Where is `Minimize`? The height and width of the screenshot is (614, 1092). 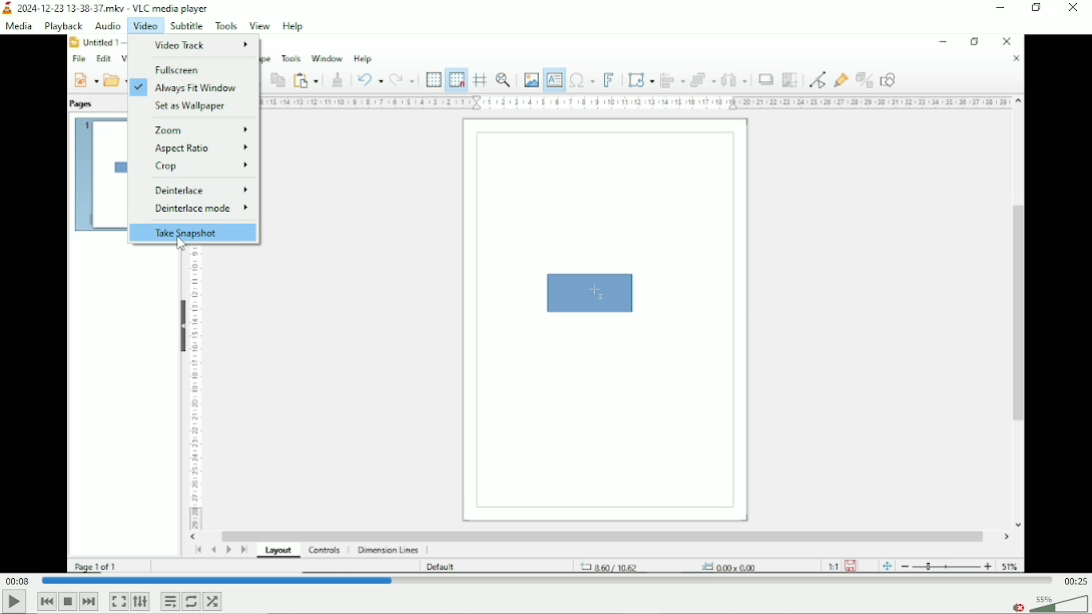
Minimize is located at coordinates (1003, 7).